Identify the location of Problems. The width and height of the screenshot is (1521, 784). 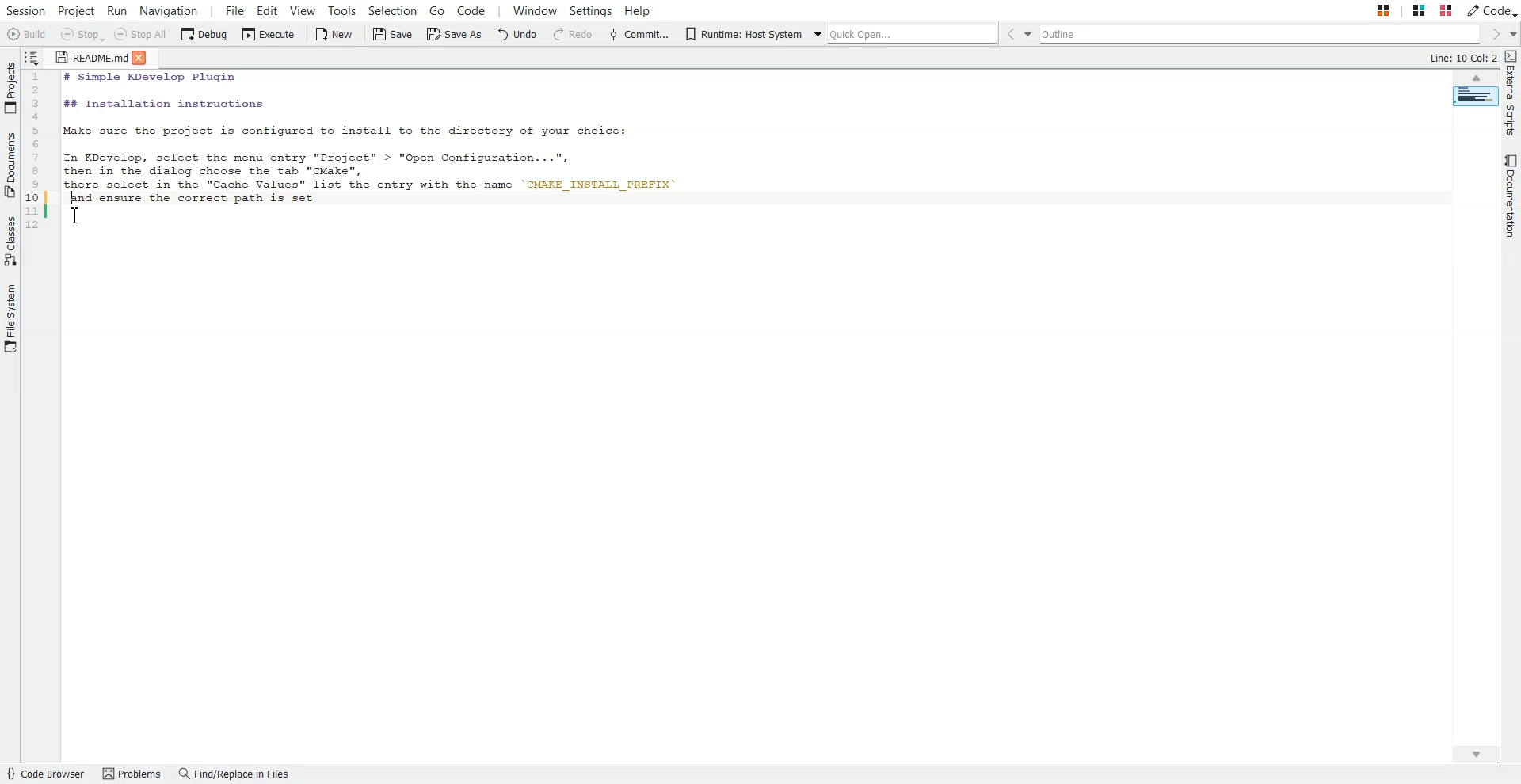
(132, 774).